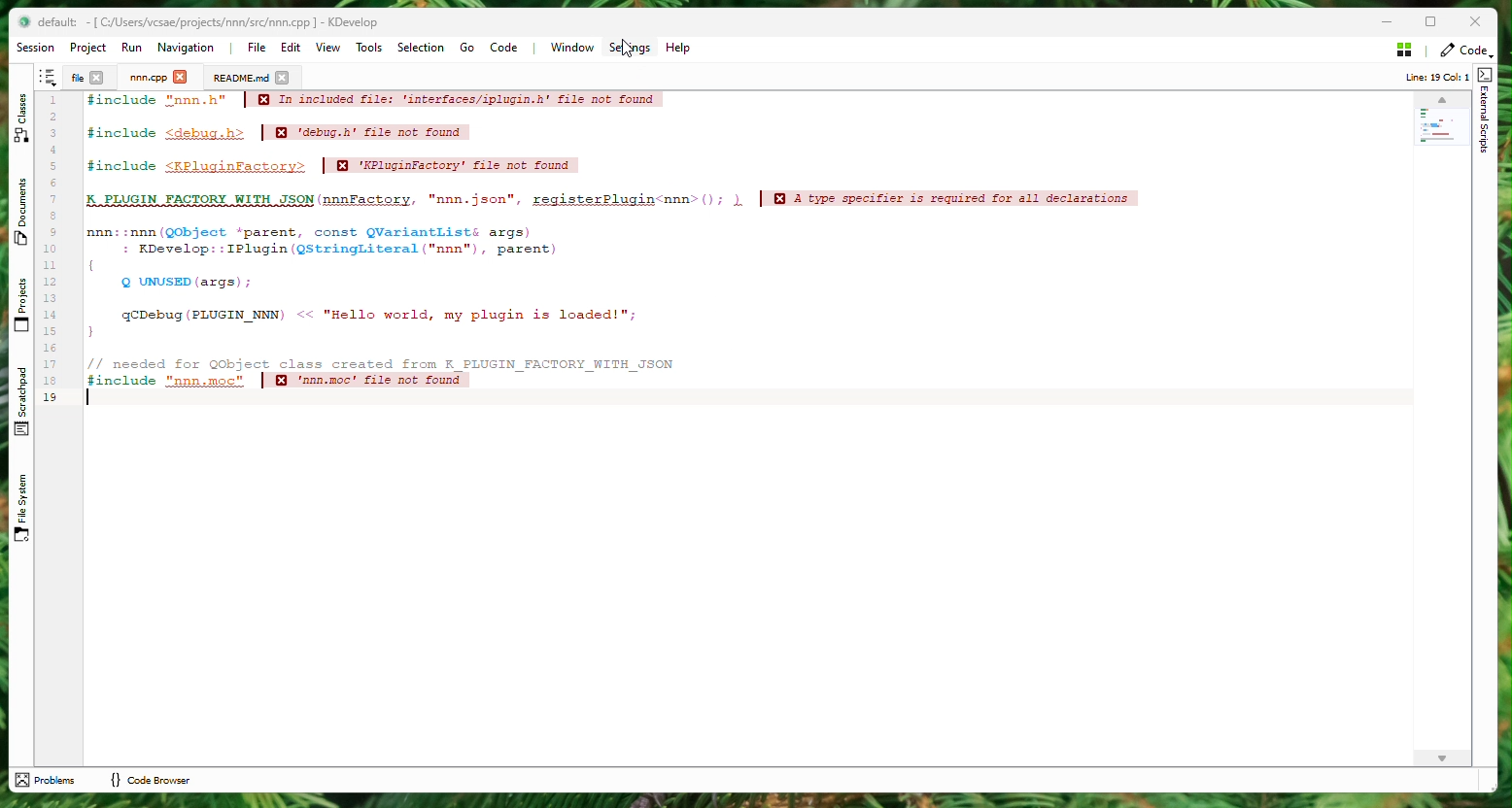 Image resolution: width=1512 pixels, height=808 pixels. I want to click on 16, so click(51, 348).